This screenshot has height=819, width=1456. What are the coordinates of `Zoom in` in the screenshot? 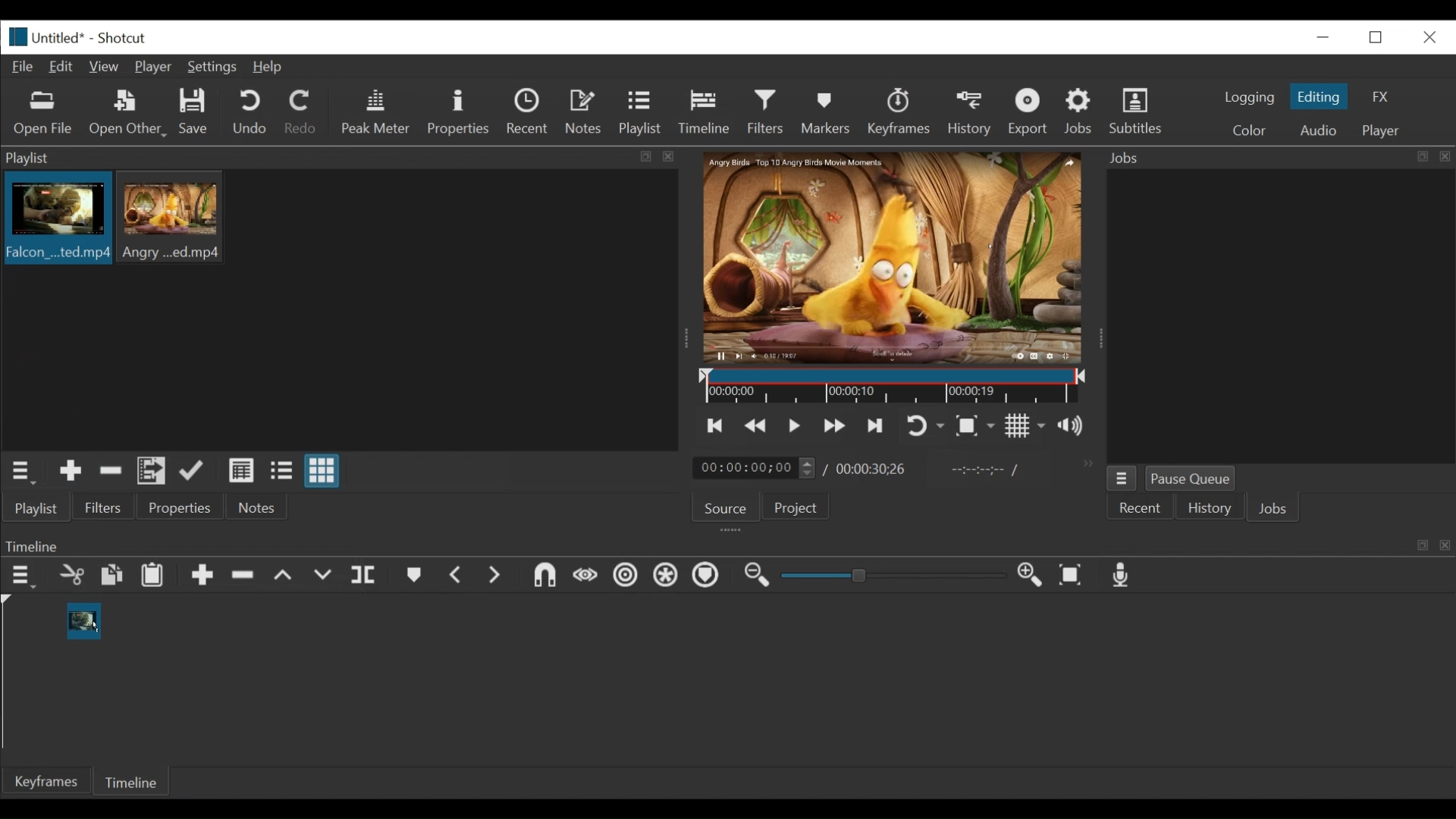 It's located at (1032, 576).